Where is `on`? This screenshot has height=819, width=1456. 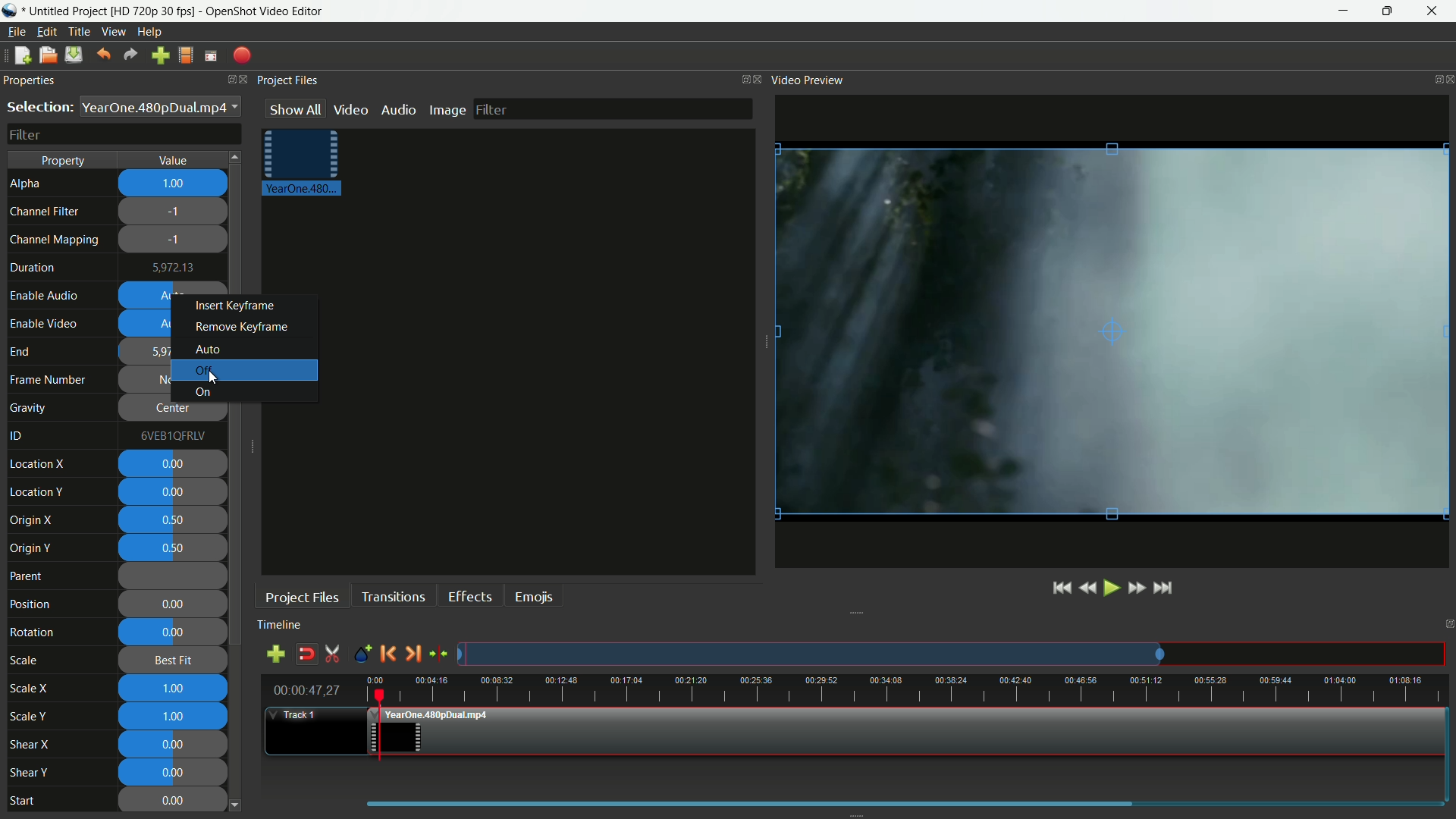
on is located at coordinates (204, 390).